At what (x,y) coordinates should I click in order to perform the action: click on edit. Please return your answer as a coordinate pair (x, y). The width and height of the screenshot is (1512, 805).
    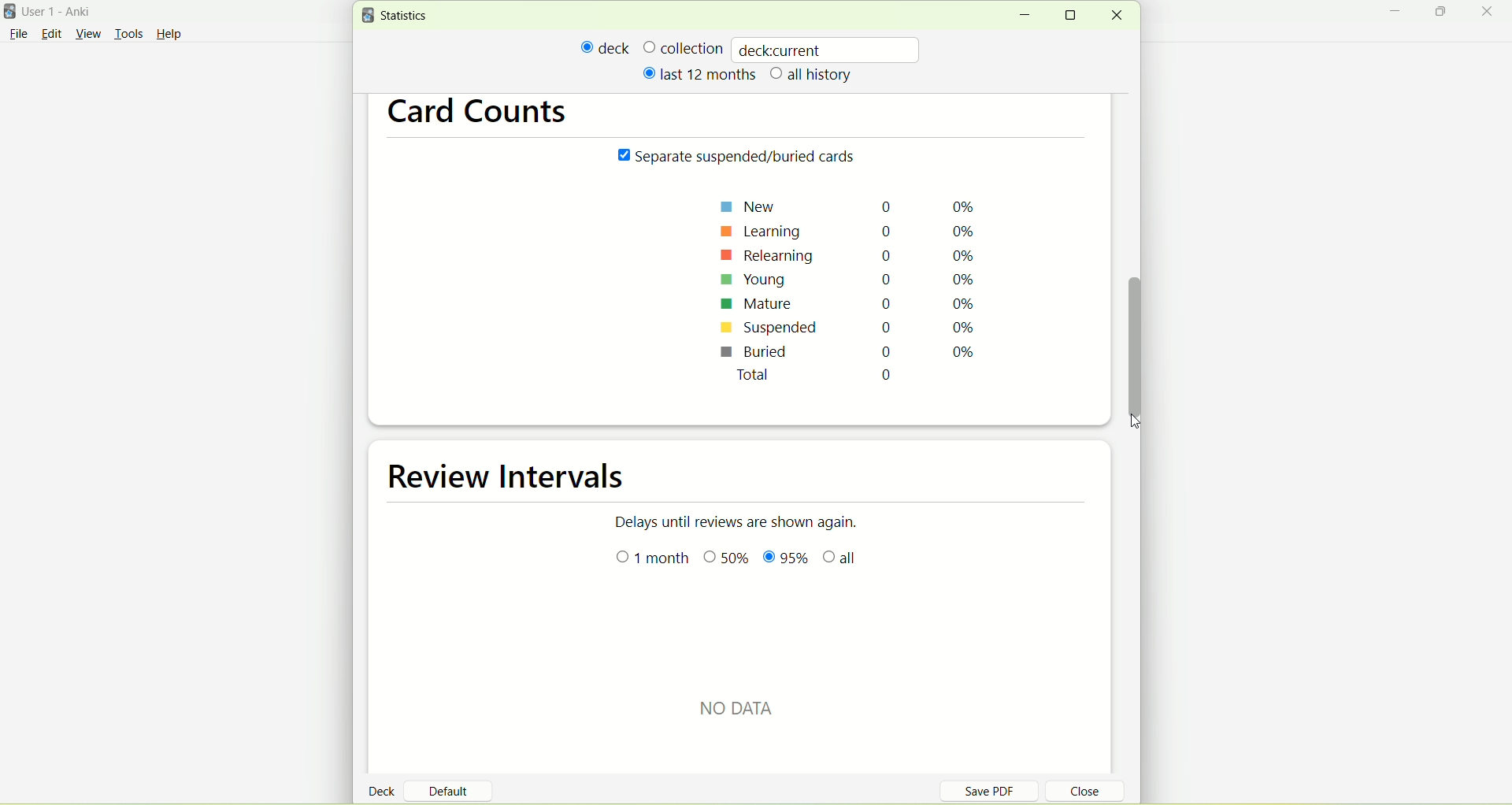
    Looking at the image, I should click on (51, 33).